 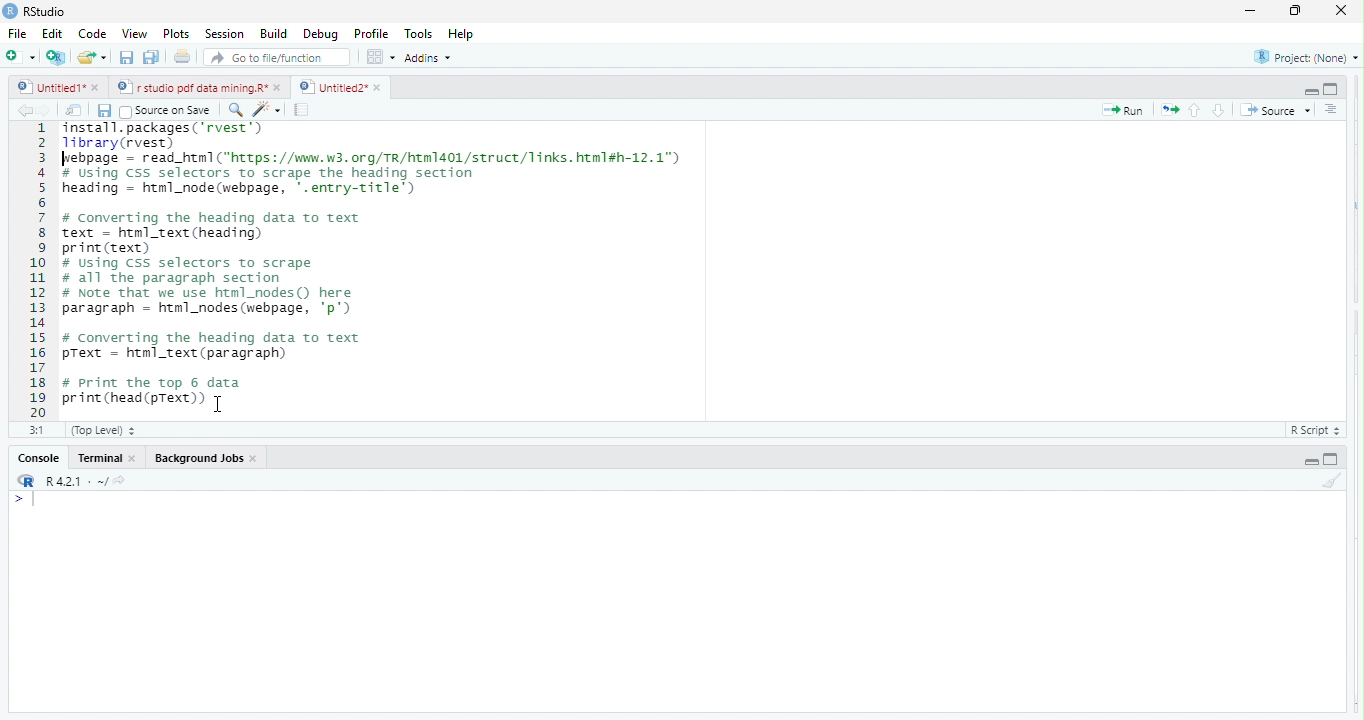 I want to click on code tools, so click(x=267, y=109).